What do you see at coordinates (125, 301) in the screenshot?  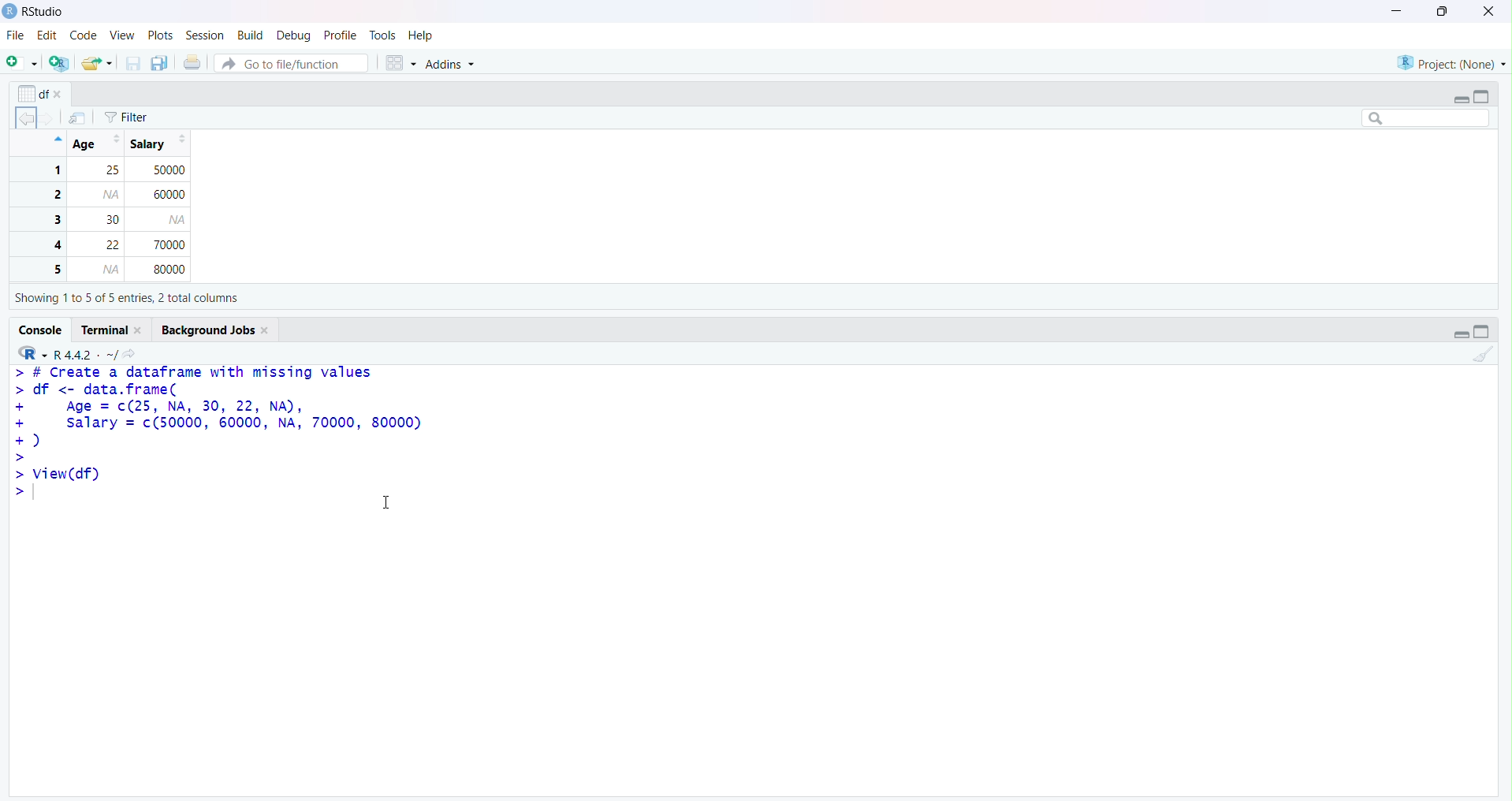 I see `Showing 110 5 of 5 entries, 2 total columns` at bounding box center [125, 301].